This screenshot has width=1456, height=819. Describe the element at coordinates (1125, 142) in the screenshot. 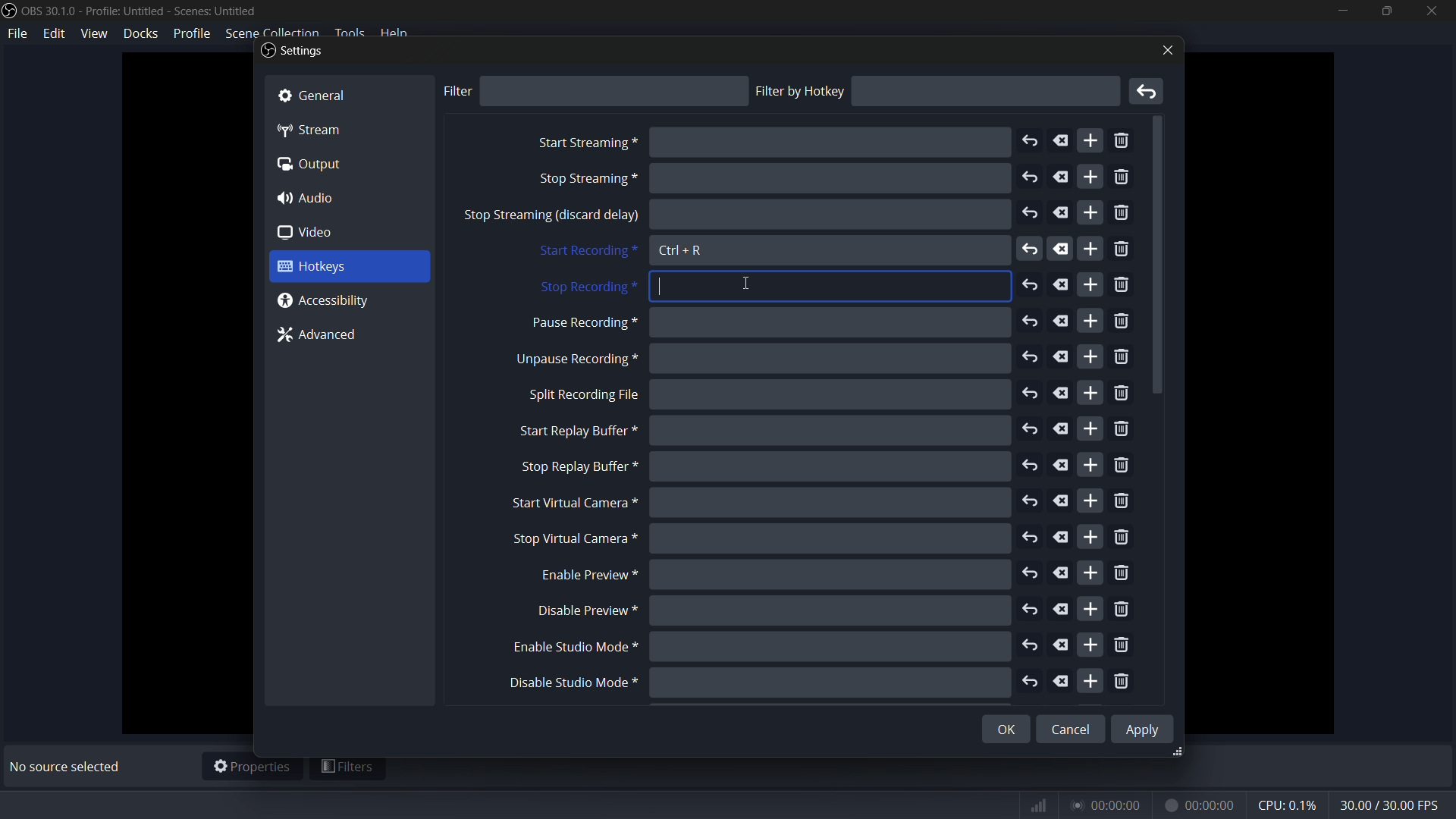

I see `remove` at that location.